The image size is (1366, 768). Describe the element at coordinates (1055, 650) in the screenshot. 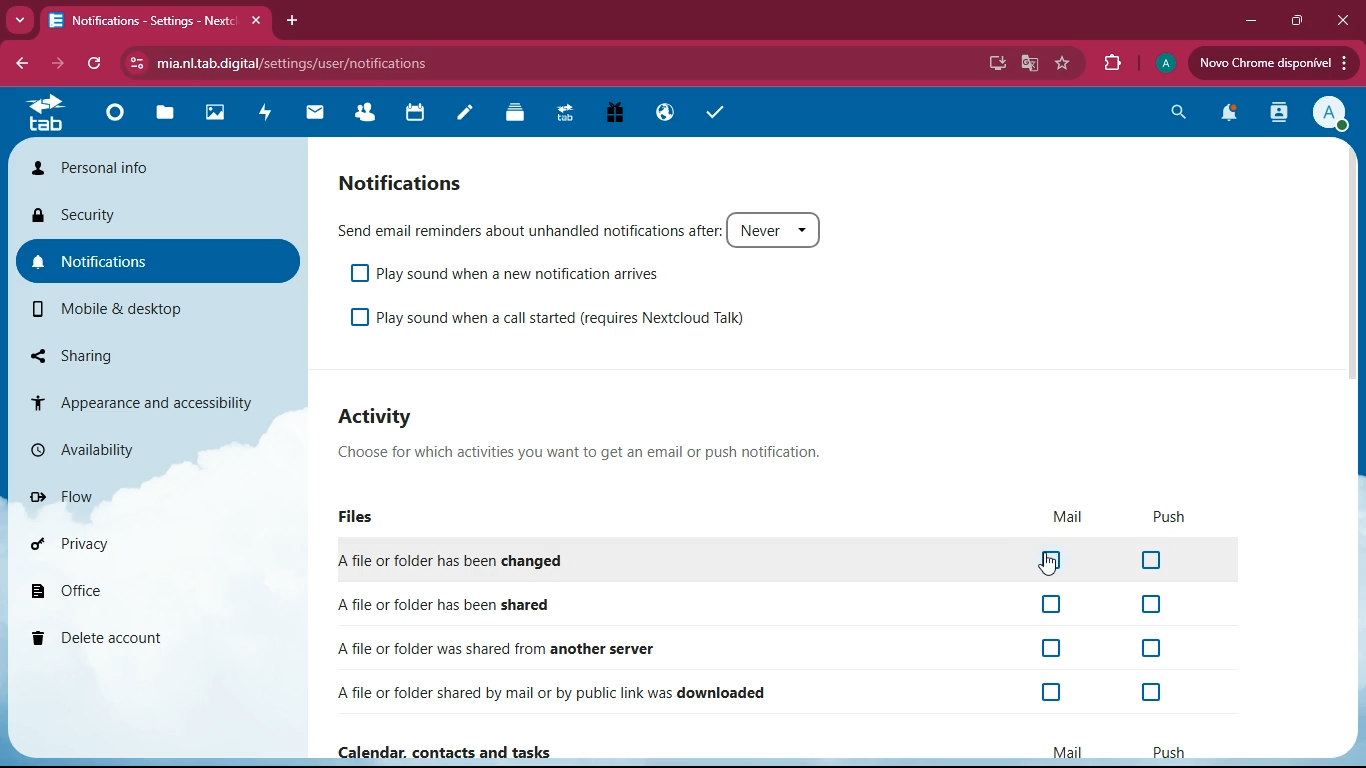

I see `off` at that location.